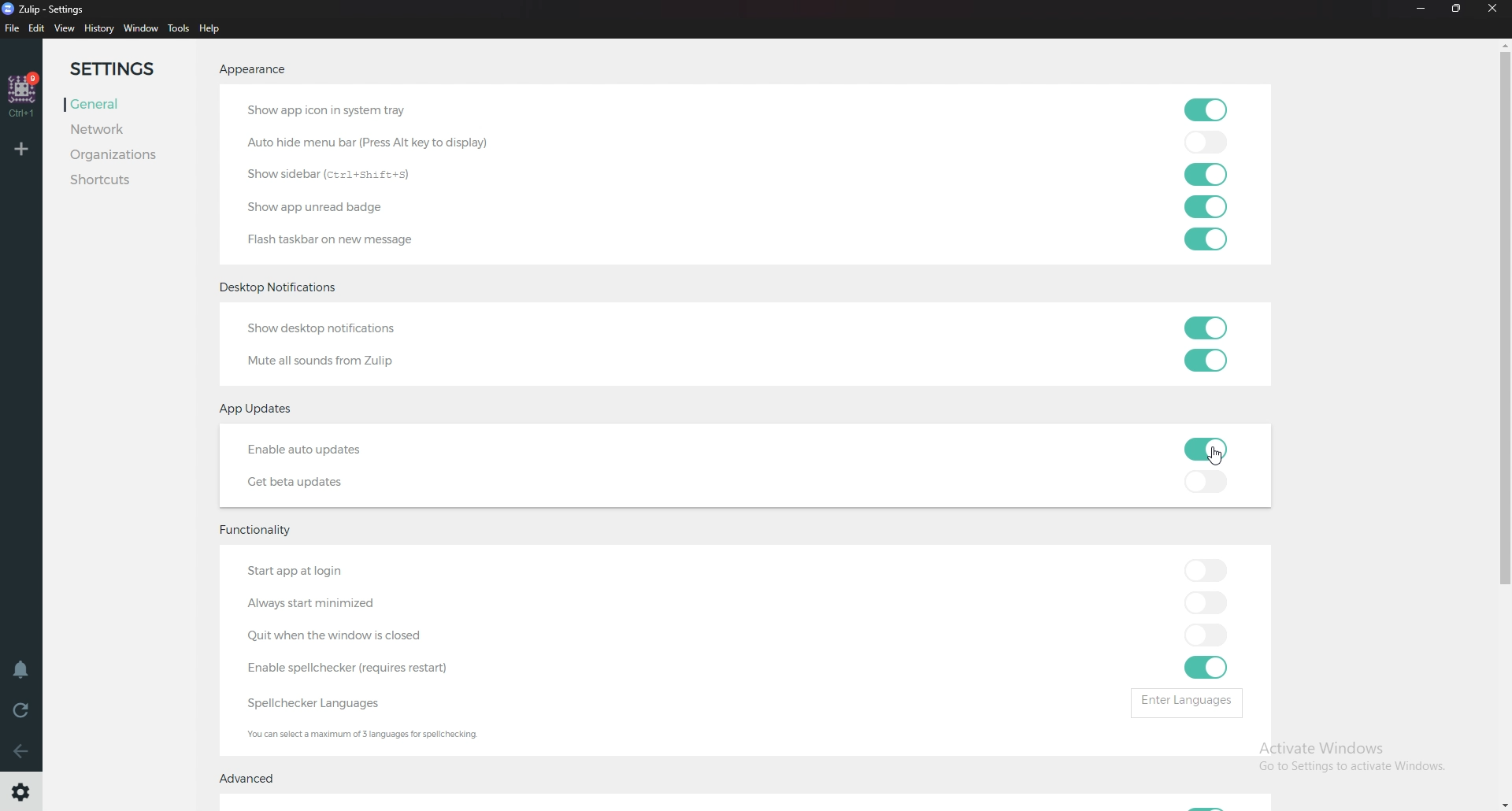  Describe the element at coordinates (320, 604) in the screenshot. I see `Always start minimized` at that location.